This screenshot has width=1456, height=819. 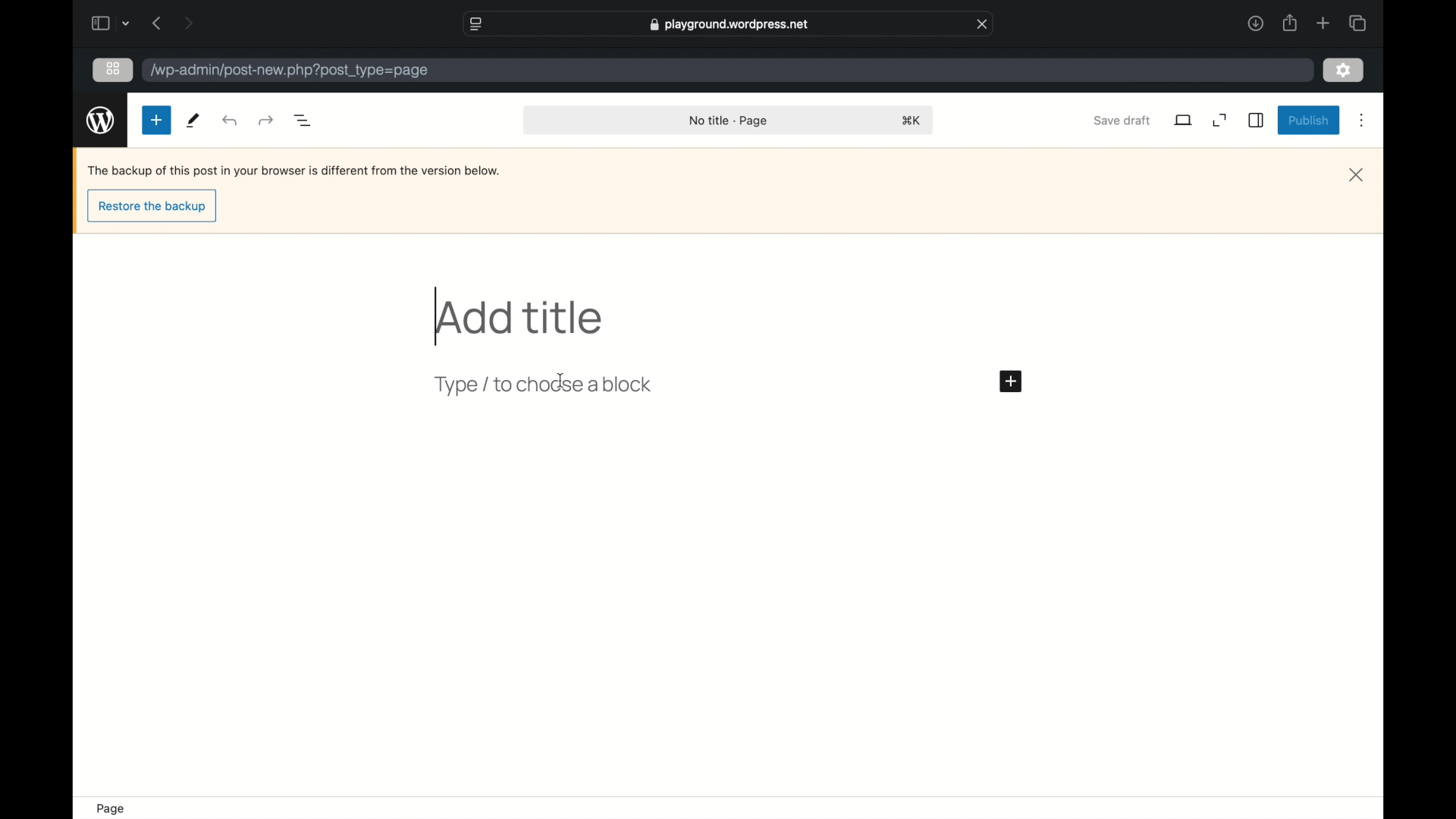 What do you see at coordinates (1220, 121) in the screenshot?
I see `expand` at bounding box center [1220, 121].